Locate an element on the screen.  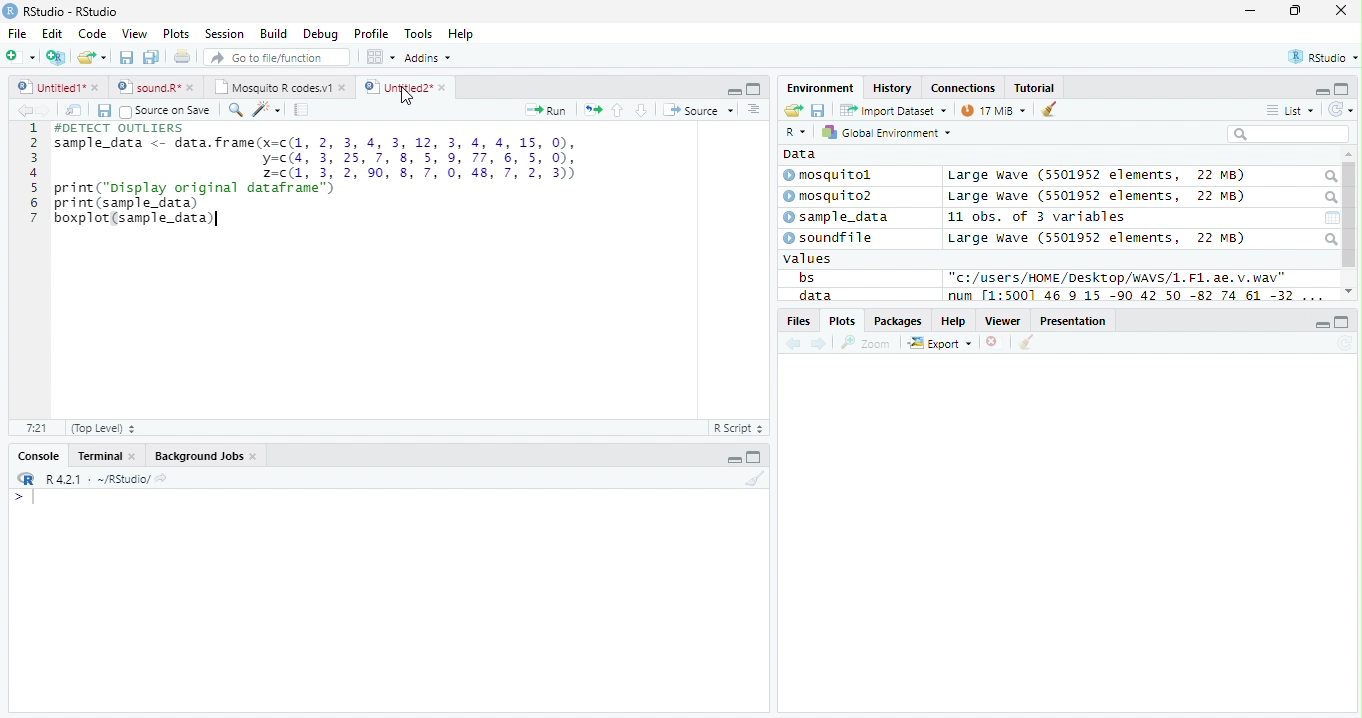
go forward is located at coordinates (820, 345).